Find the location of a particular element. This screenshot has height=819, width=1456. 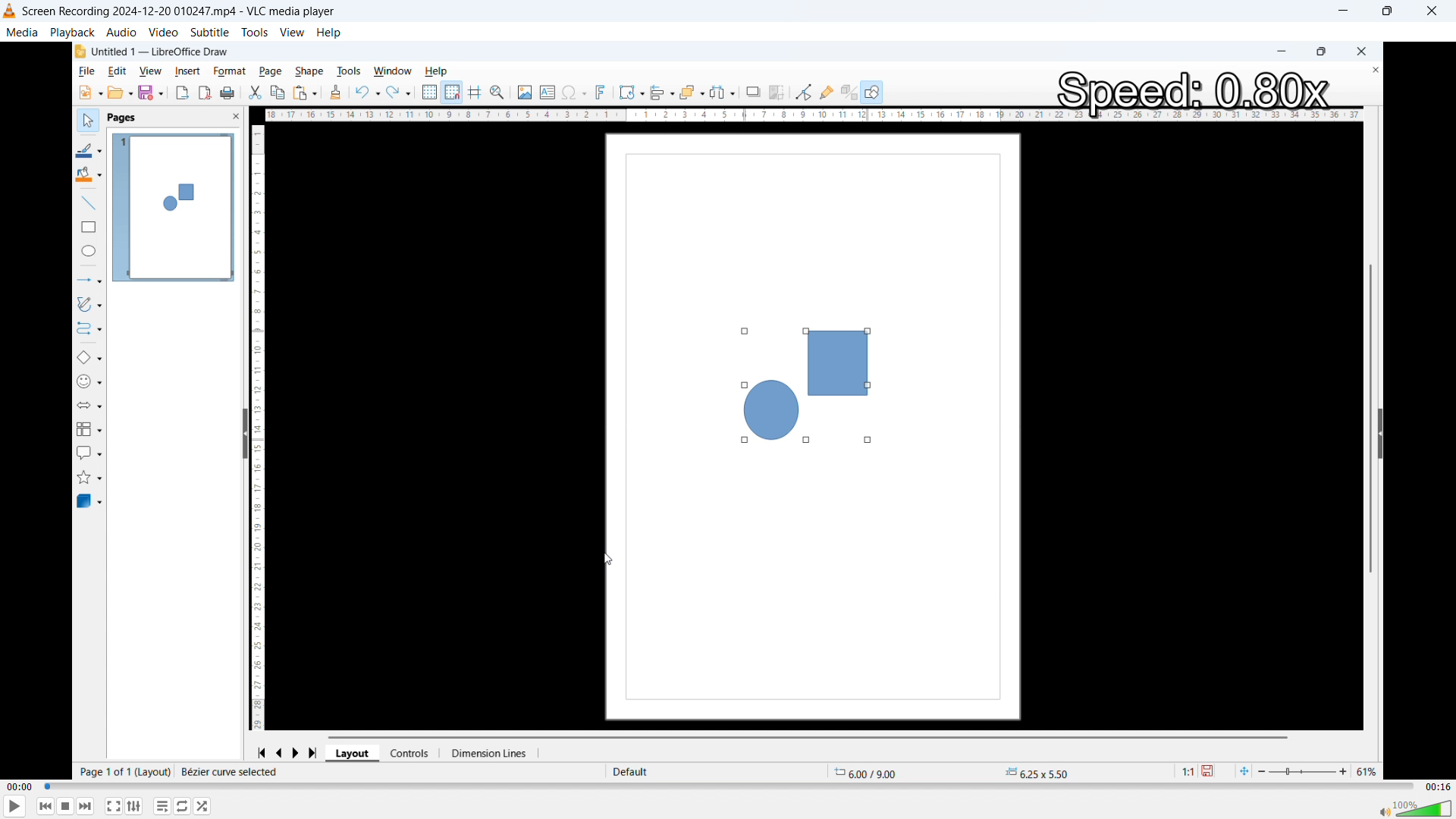

forward or next media  is located at coordinates (86, 806).